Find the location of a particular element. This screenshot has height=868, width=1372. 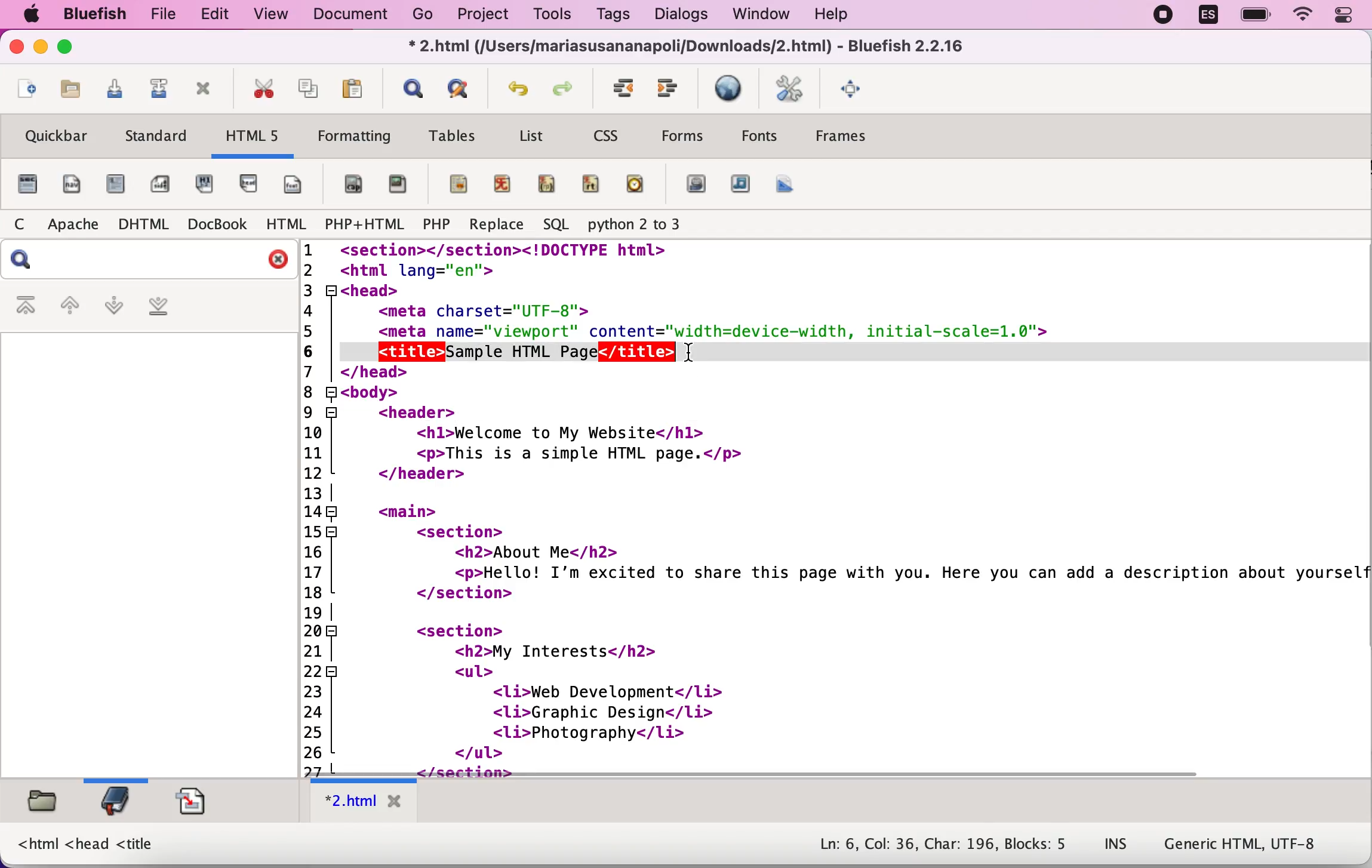

tables is located at coordinates (454, 135).